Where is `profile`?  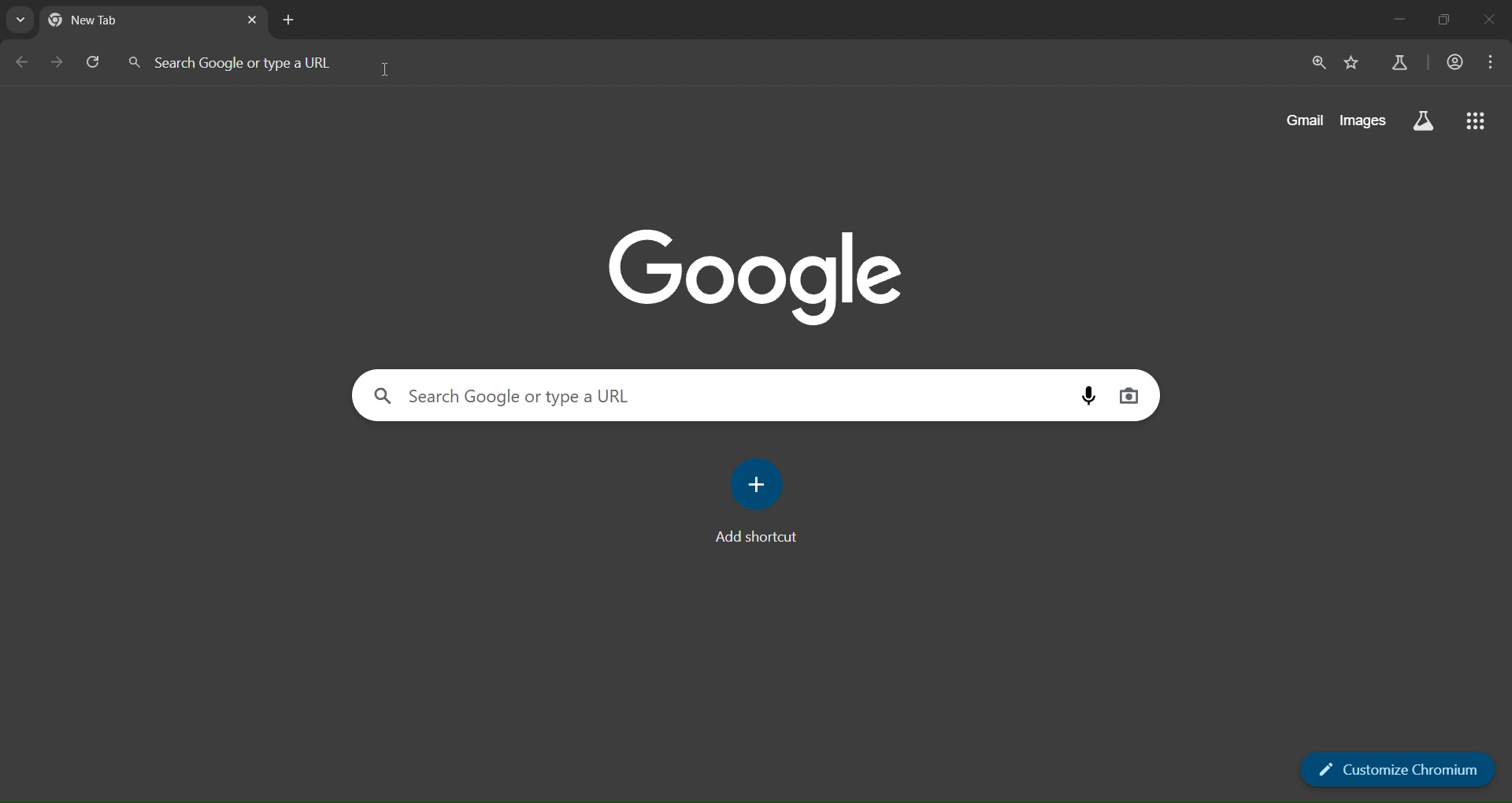
profile is located at coordinates (1455, 63).